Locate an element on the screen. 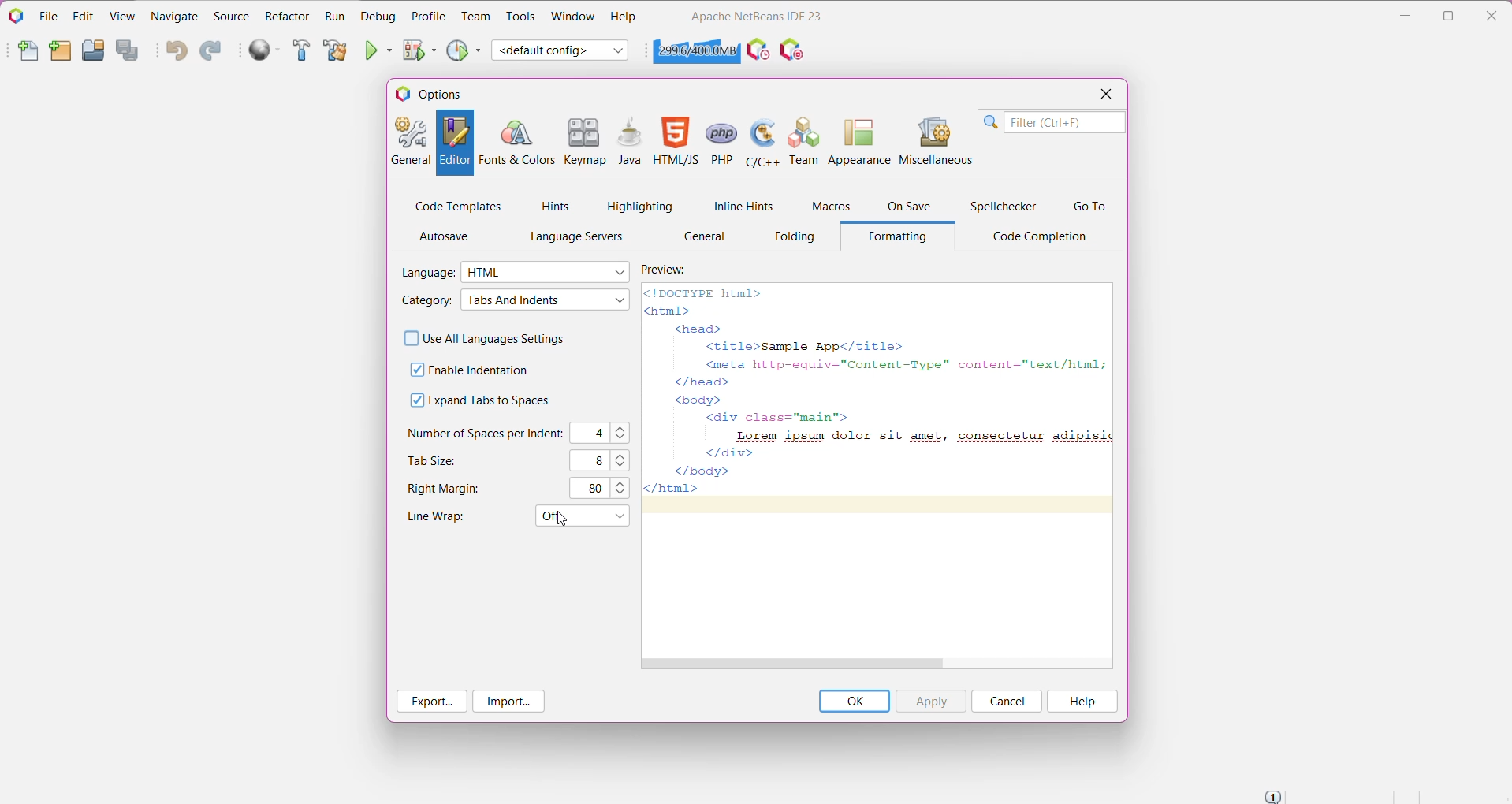 This screenshot has width=1512, height=804. PHP is located at coordinates (721, 141).